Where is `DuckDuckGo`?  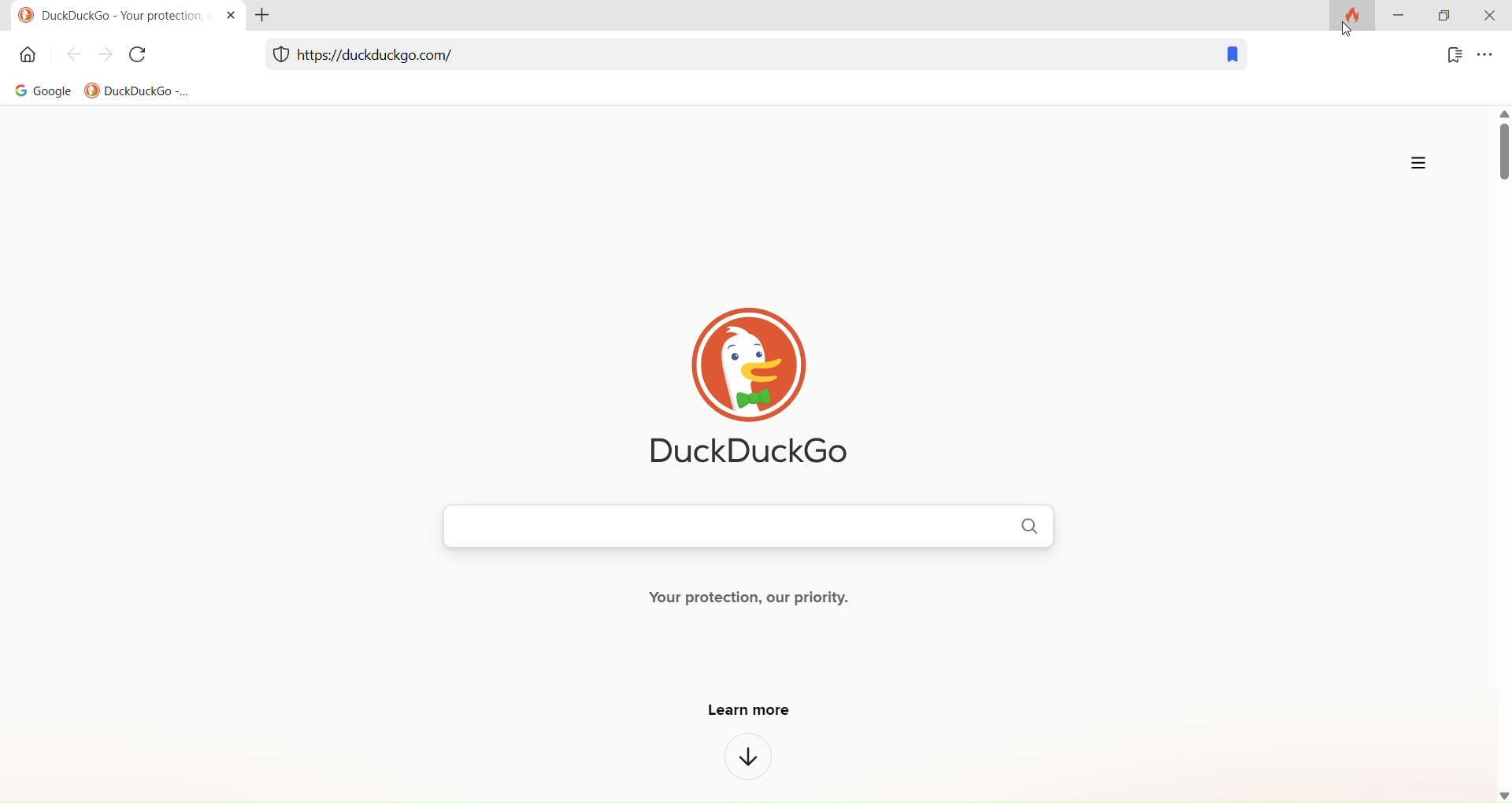
DuckDuckGo is located at coordinates (769, 388).